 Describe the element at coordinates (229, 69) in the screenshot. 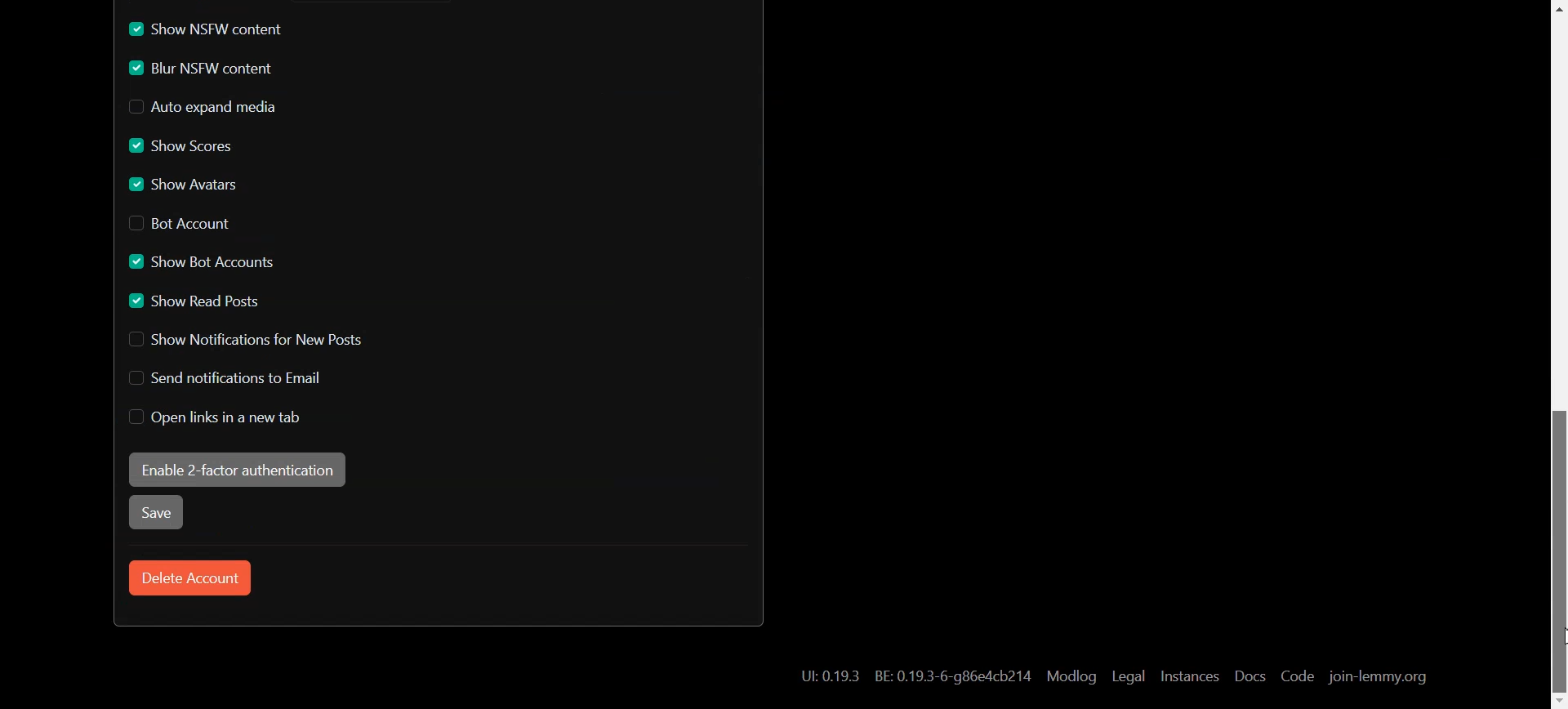

I see `Enable Blur NSFW content` at that location.